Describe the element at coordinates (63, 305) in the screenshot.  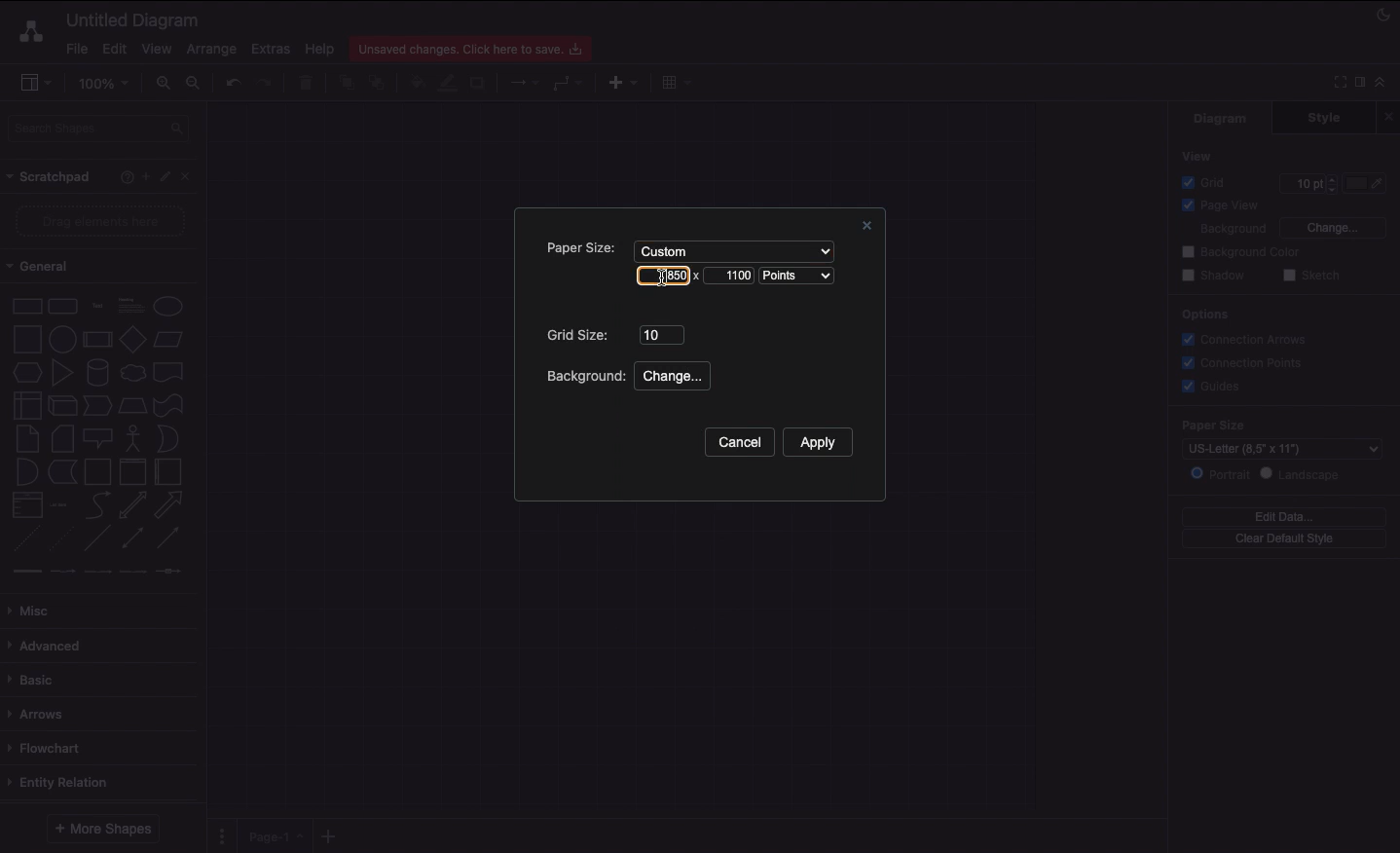
I see `Rounded rectangle` at that location.